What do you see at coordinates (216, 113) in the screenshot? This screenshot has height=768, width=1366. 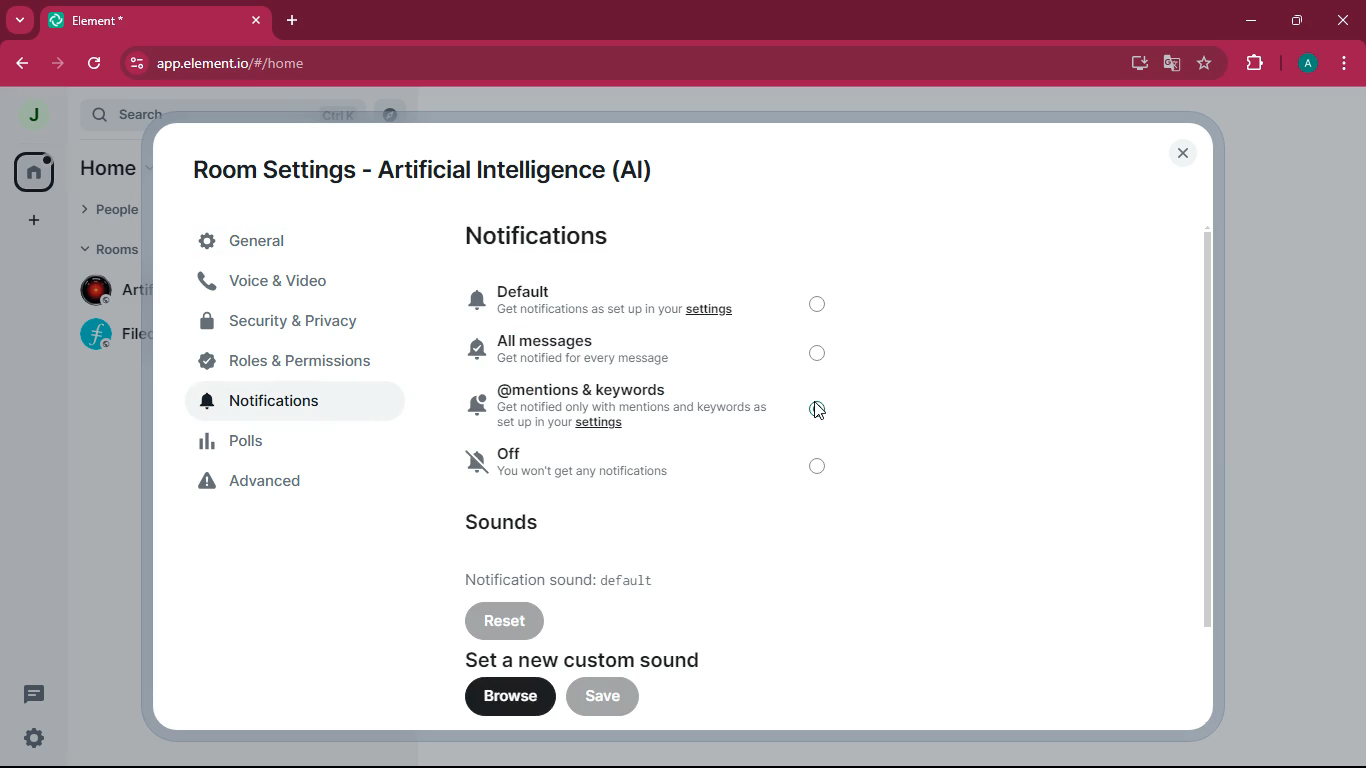 I see `search` at bounding box center [216, 113].